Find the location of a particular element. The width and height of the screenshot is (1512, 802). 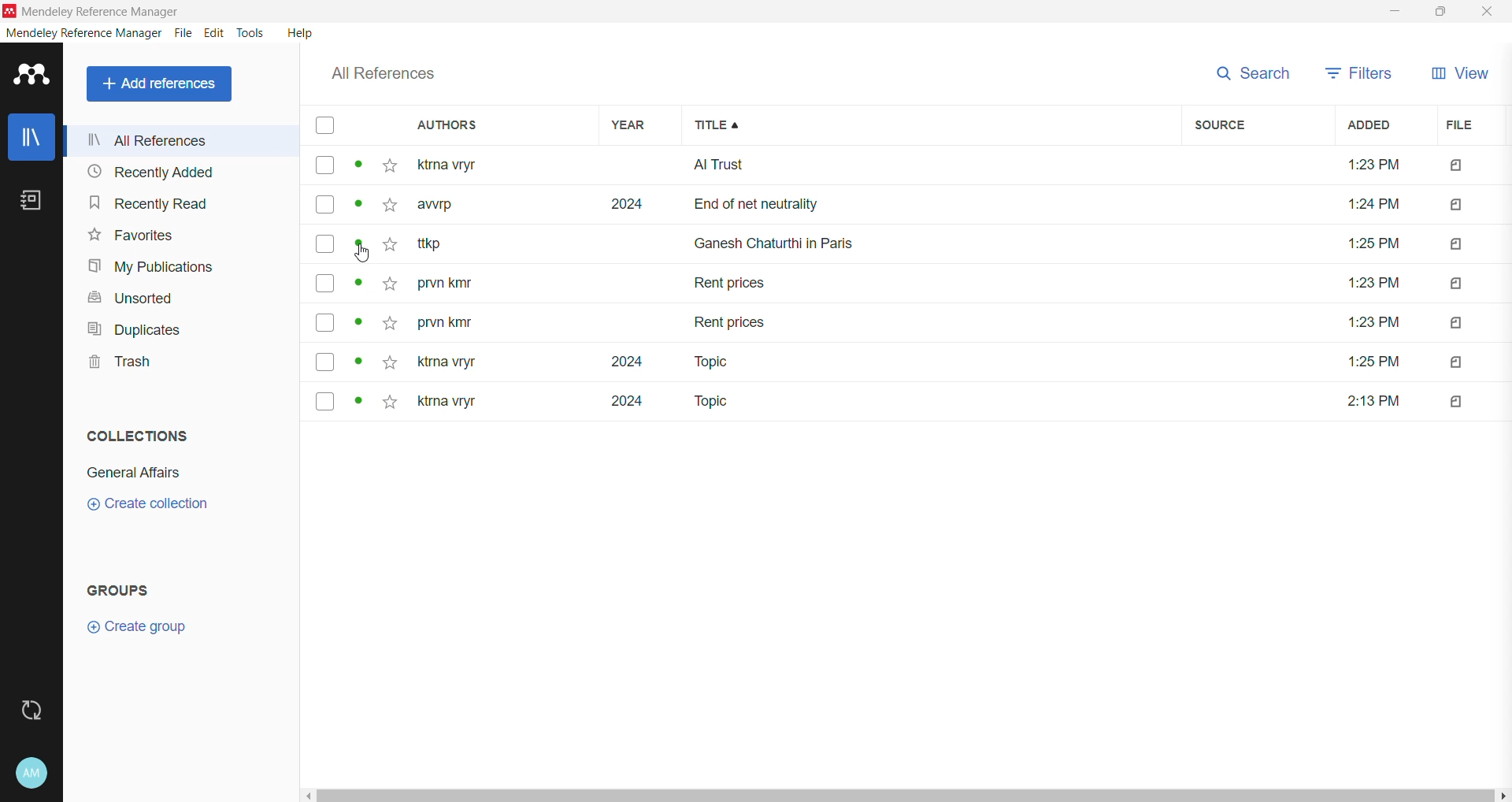

Recently Added is located at coordinates (152, 173).